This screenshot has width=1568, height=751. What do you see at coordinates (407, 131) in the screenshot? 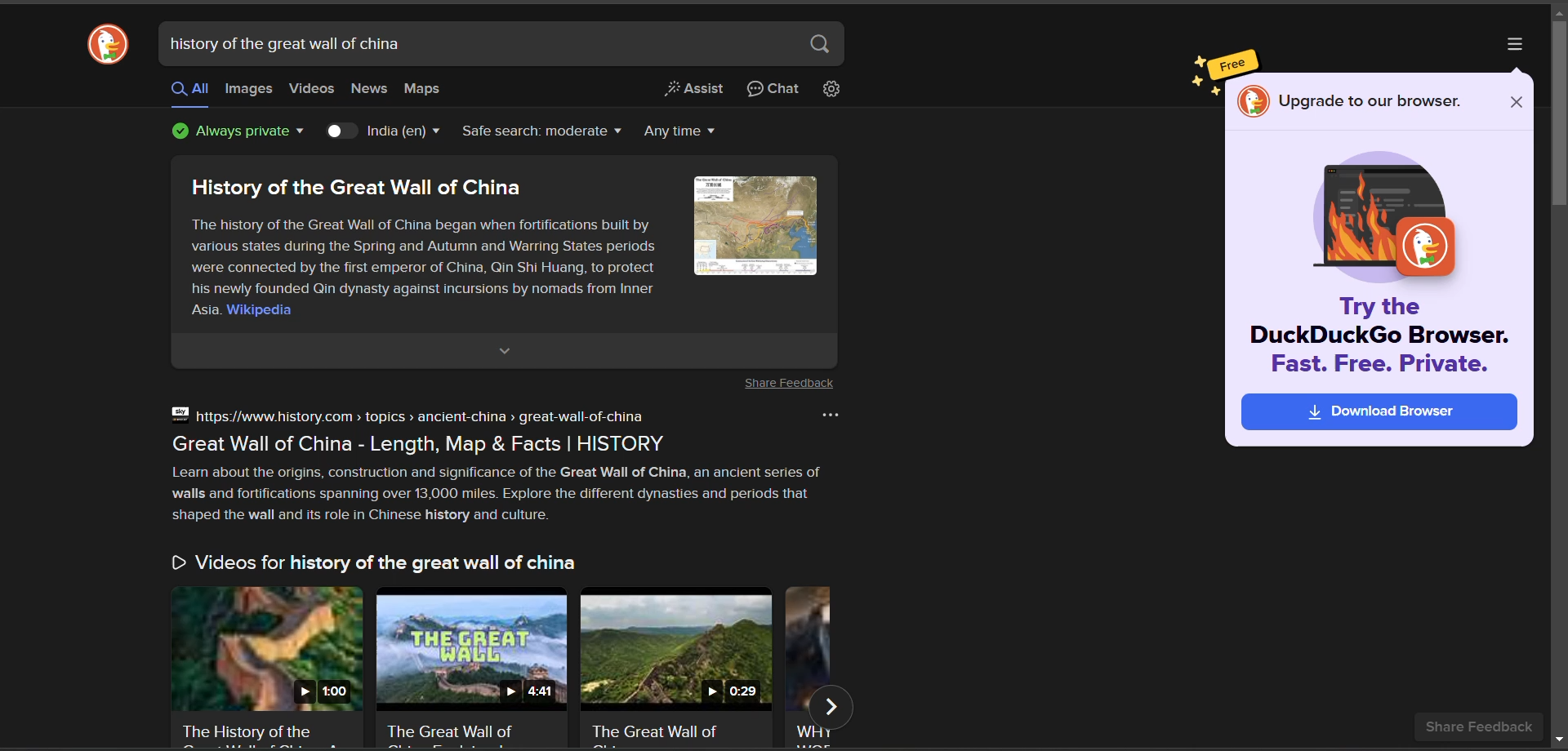
I see `country` at bounding box center [407, 131].